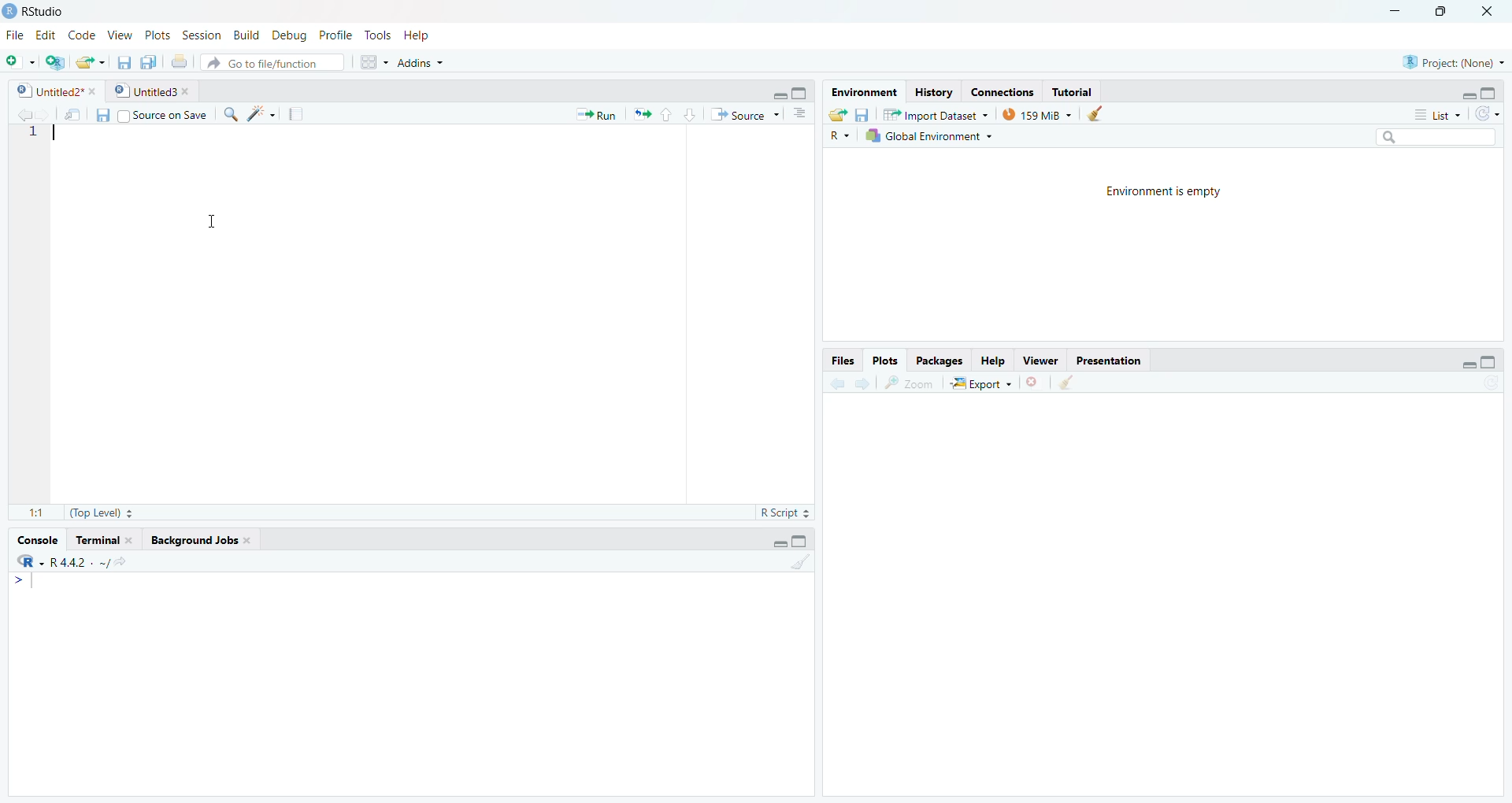  What do you see at coordinates (839, 136) in the screenshot?
I see `R` at bounding box center [839, 136].